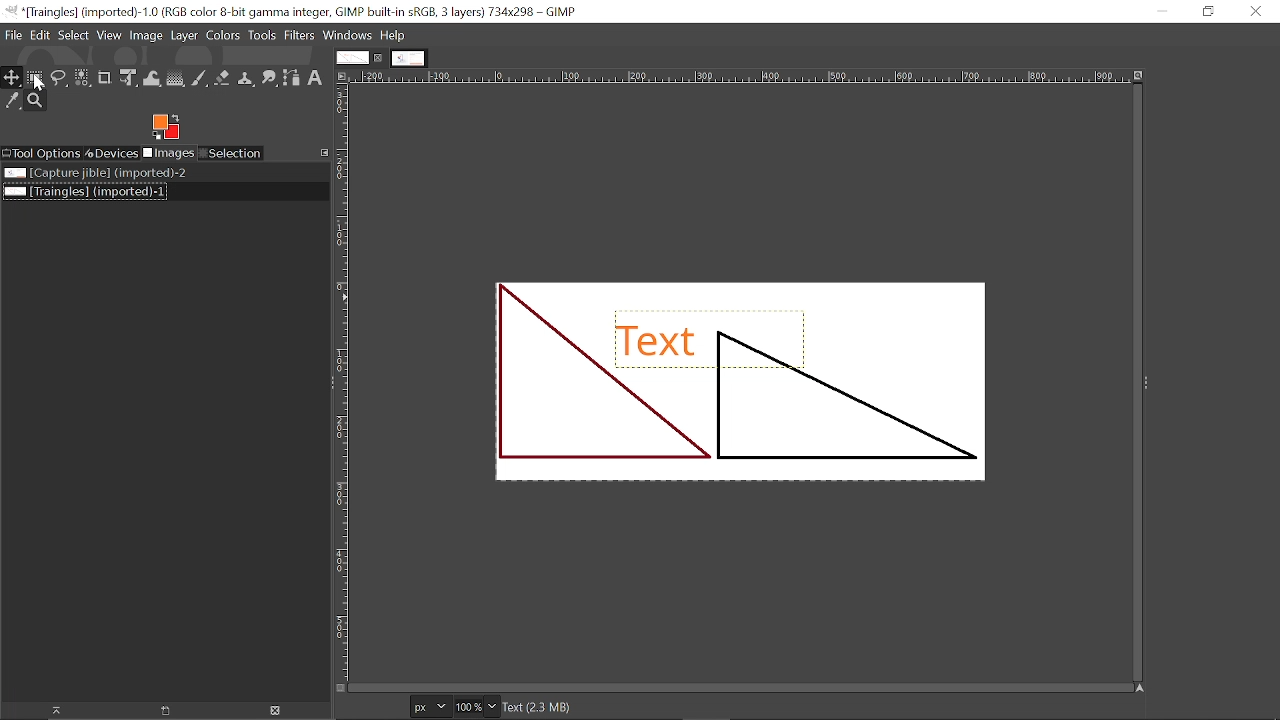 The image size is (1280, 720). Describe the element at coordinates (146, 36) in the screenshot. I see `Image` at that location.